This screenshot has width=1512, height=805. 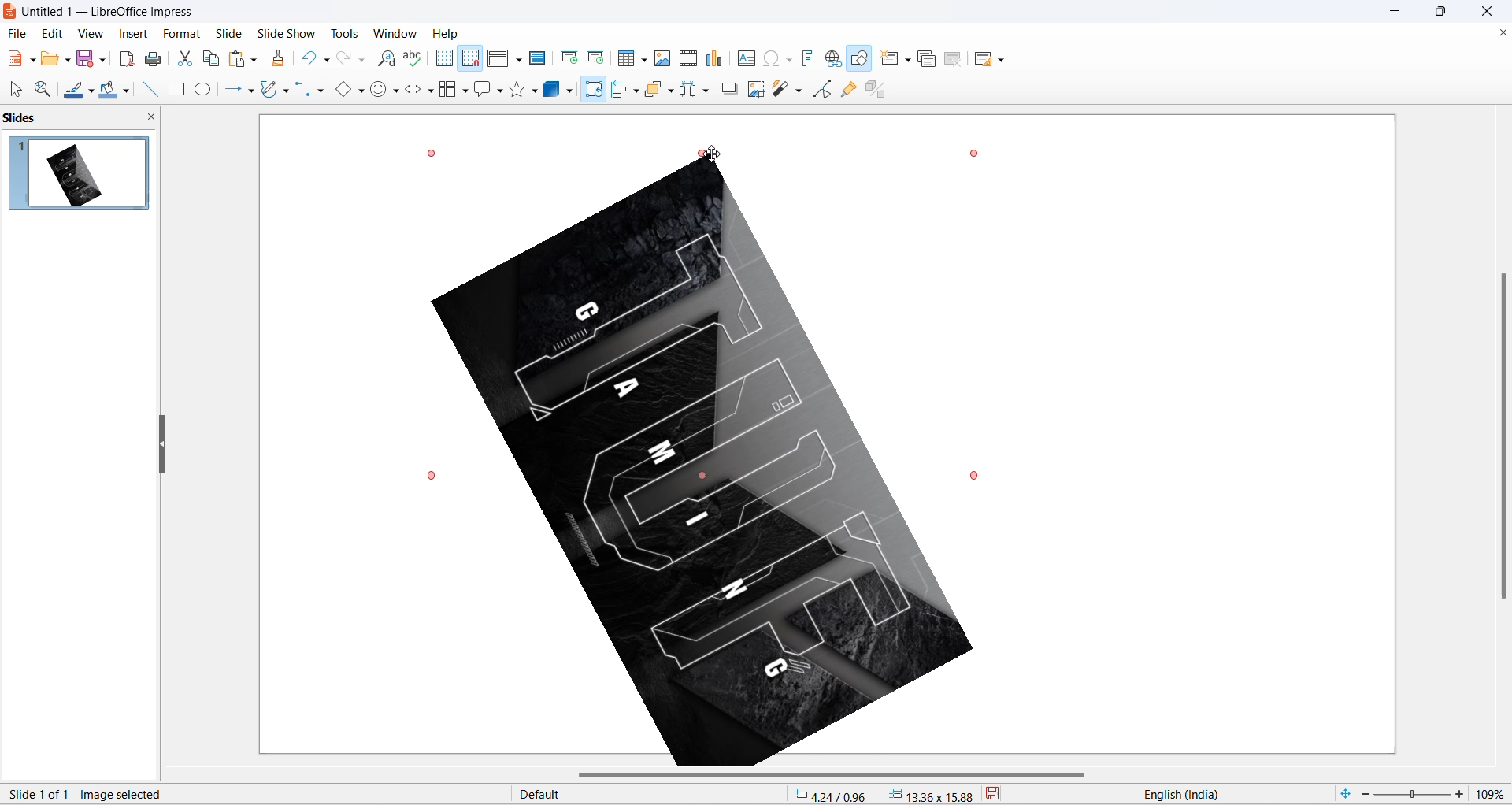 I want to click on view, so click(x=89, y=33).